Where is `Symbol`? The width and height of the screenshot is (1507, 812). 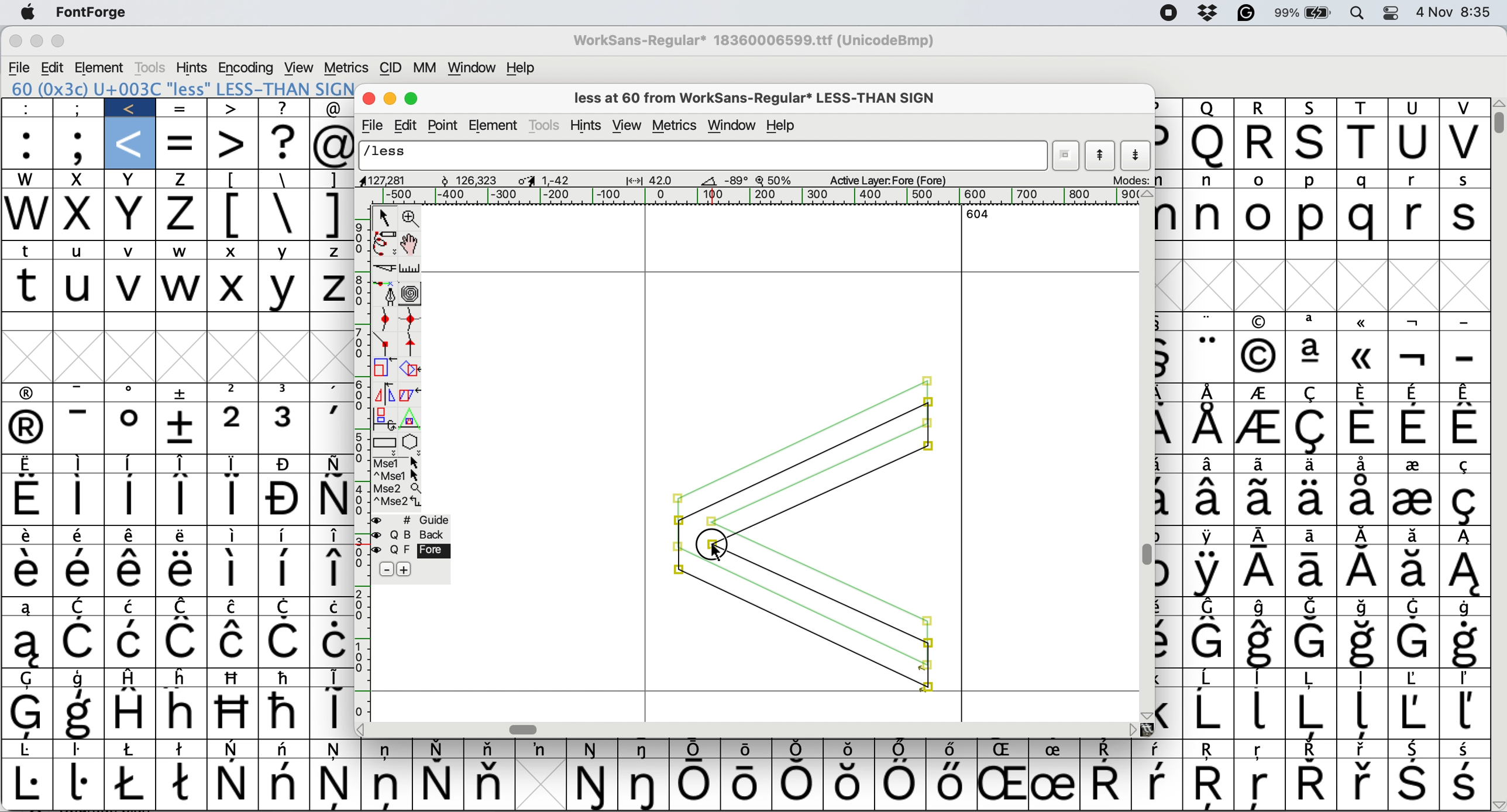
Symbol is located at coordinates (1261, 500).